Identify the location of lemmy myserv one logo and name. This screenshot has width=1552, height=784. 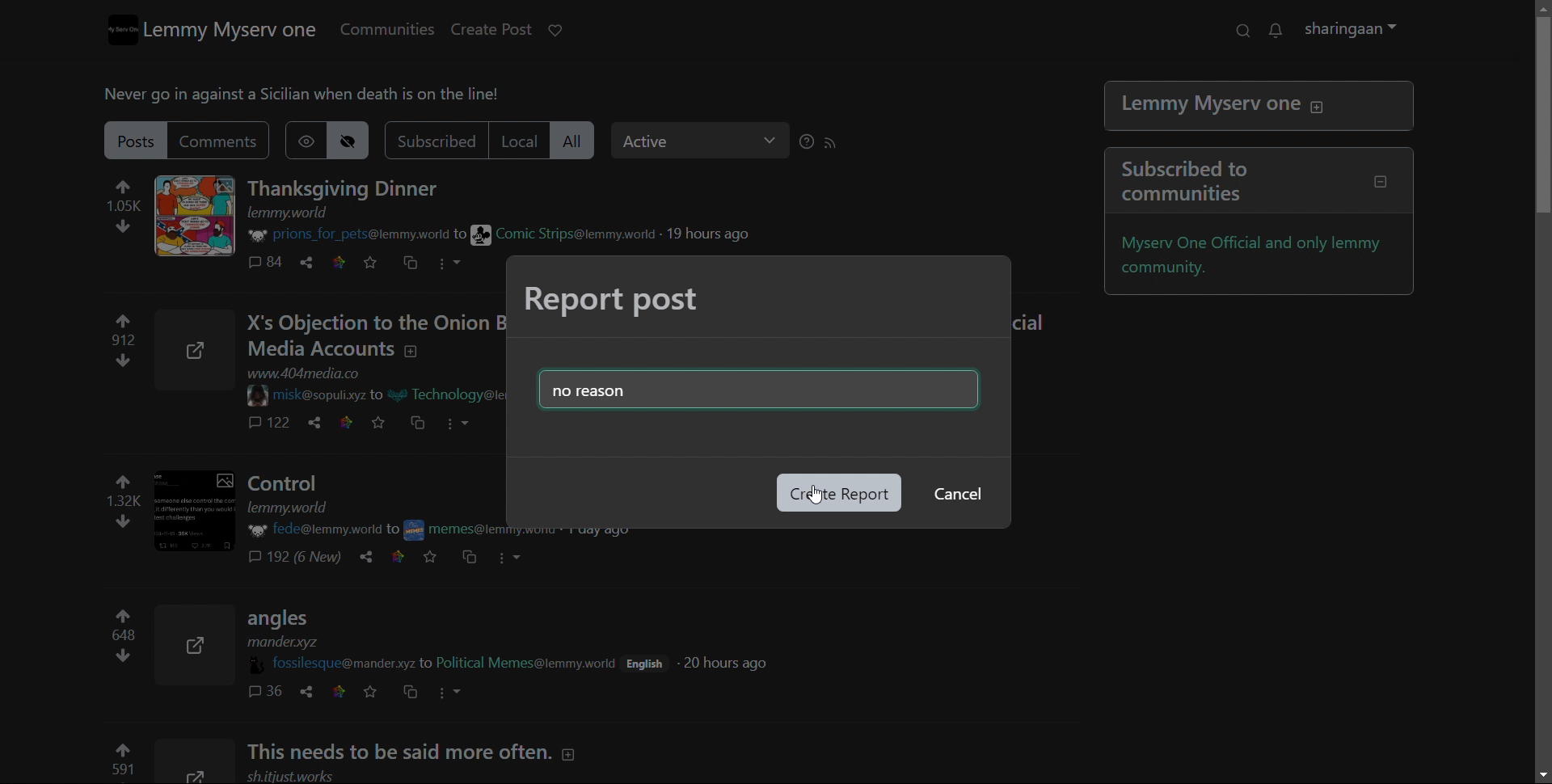
(222, 30).